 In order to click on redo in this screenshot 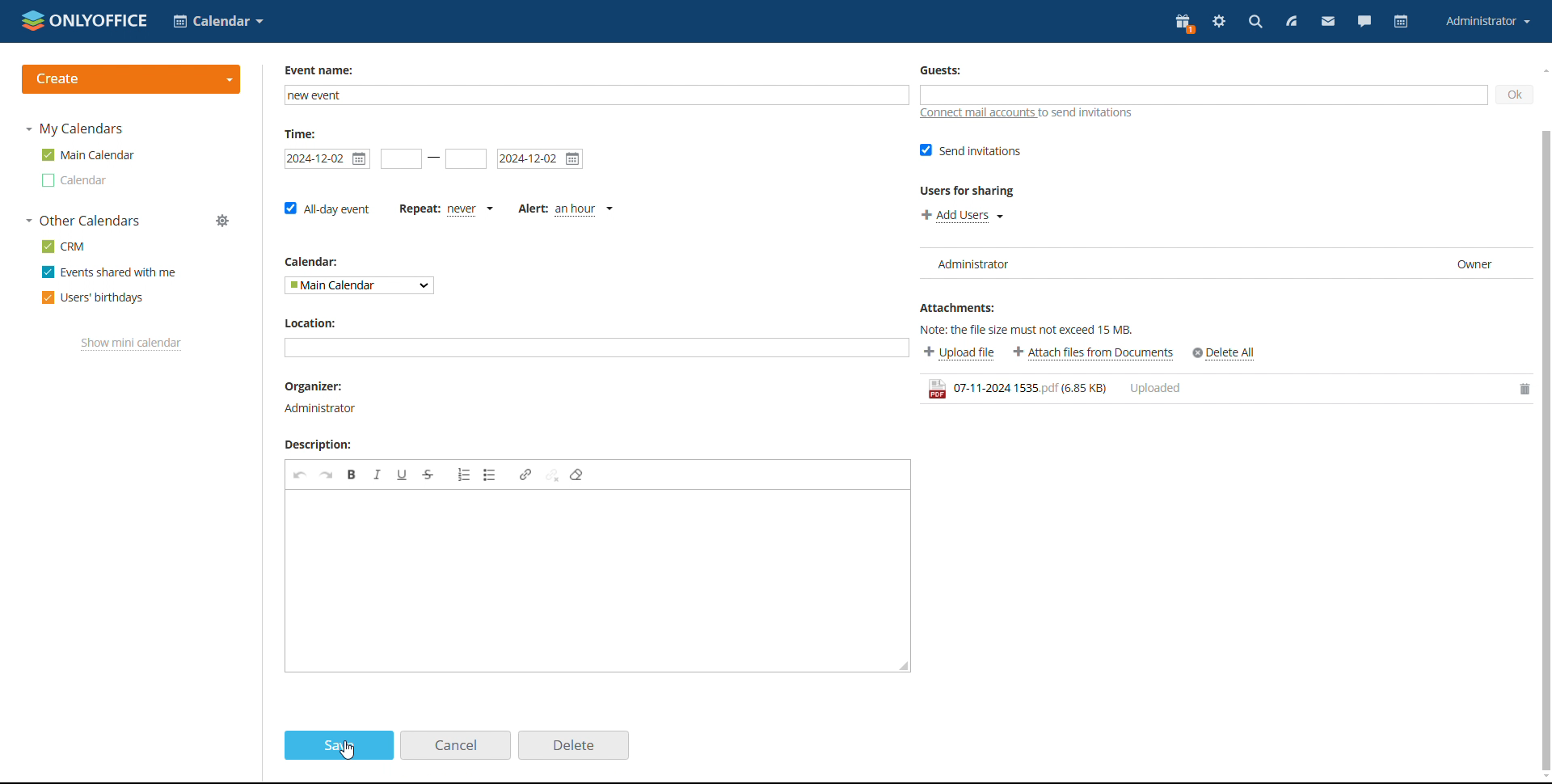, I will do `click(327, 472)`.